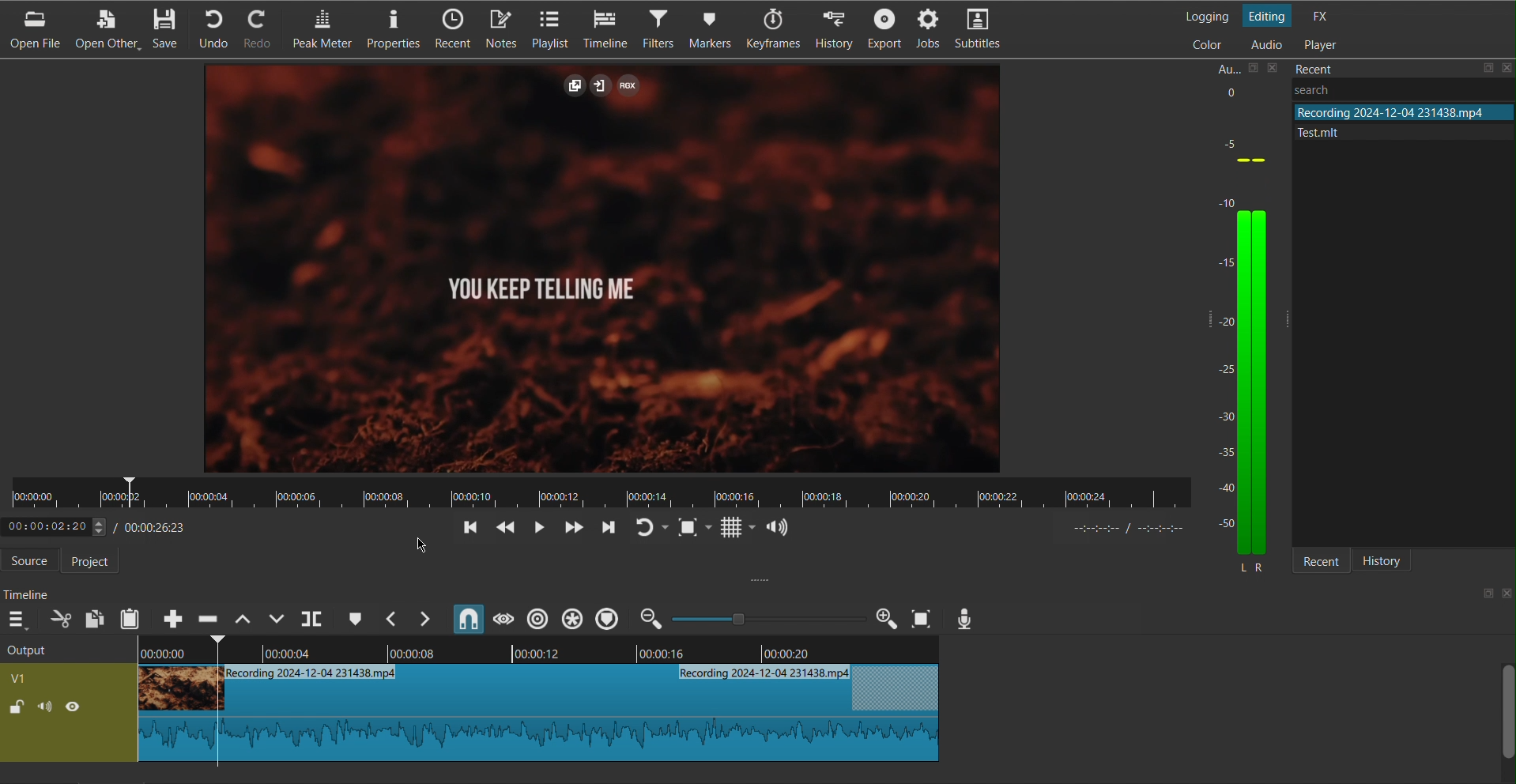 The image size is (1516, 784). Describe the element at coordinates (1484, 595) in the screenshot. I see `save` at that location.